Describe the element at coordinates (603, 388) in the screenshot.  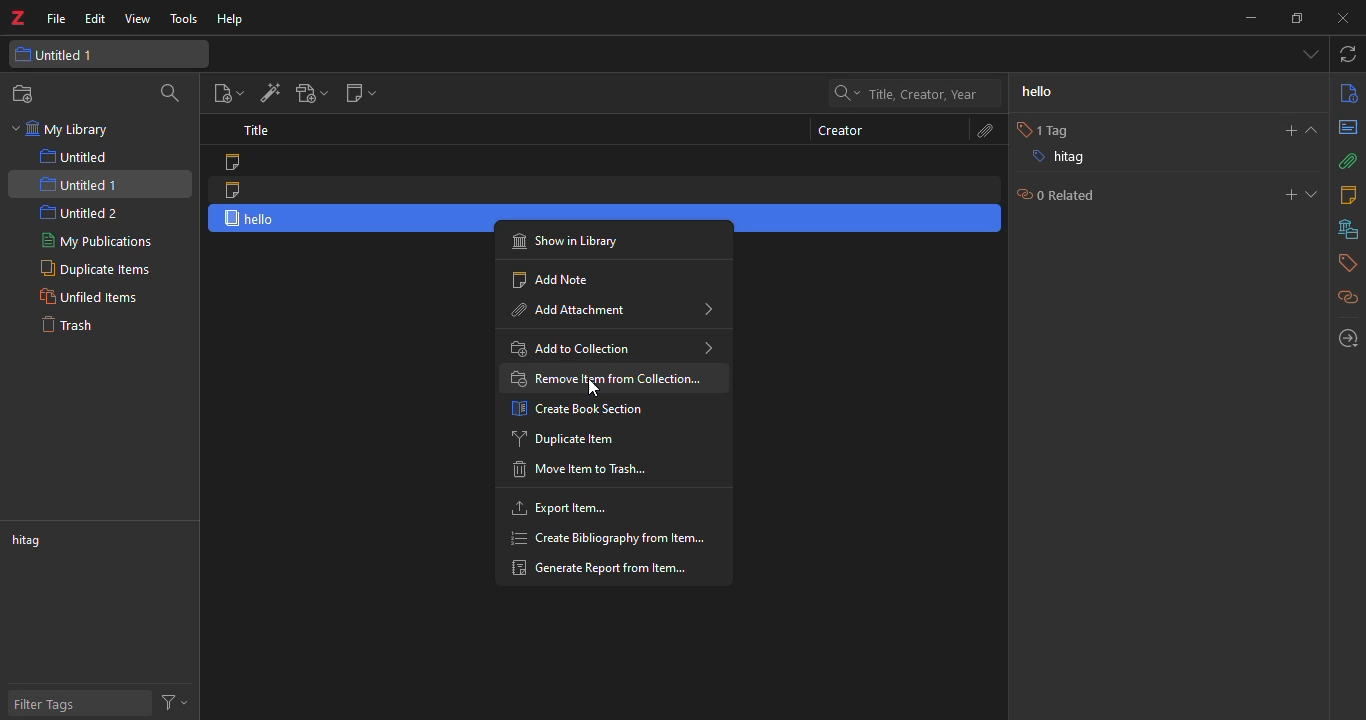
I see `cursor` at that location.